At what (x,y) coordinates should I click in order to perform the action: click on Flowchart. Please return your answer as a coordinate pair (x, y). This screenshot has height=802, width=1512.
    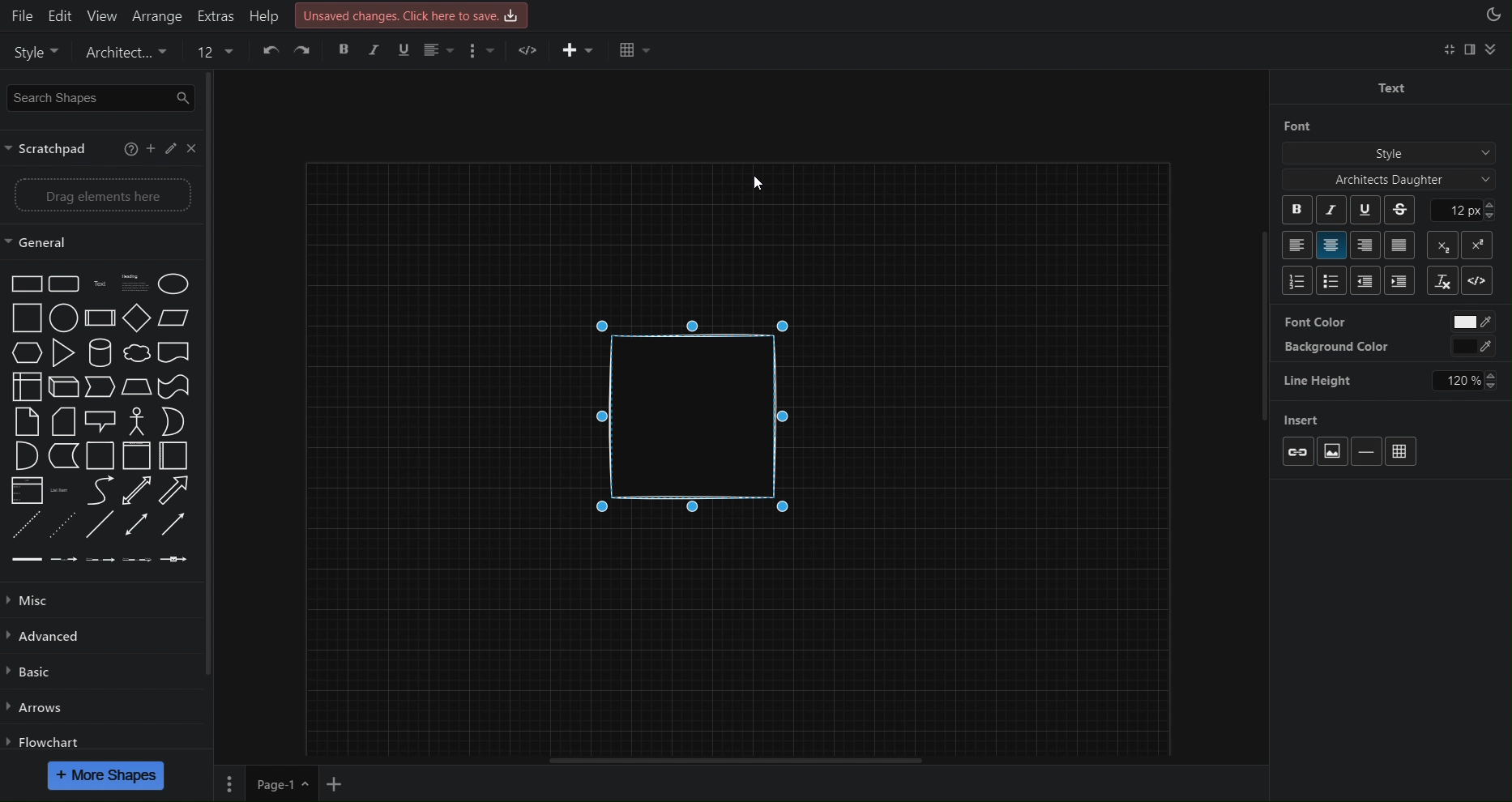
    Looking at the image, I should click on (47, 738).